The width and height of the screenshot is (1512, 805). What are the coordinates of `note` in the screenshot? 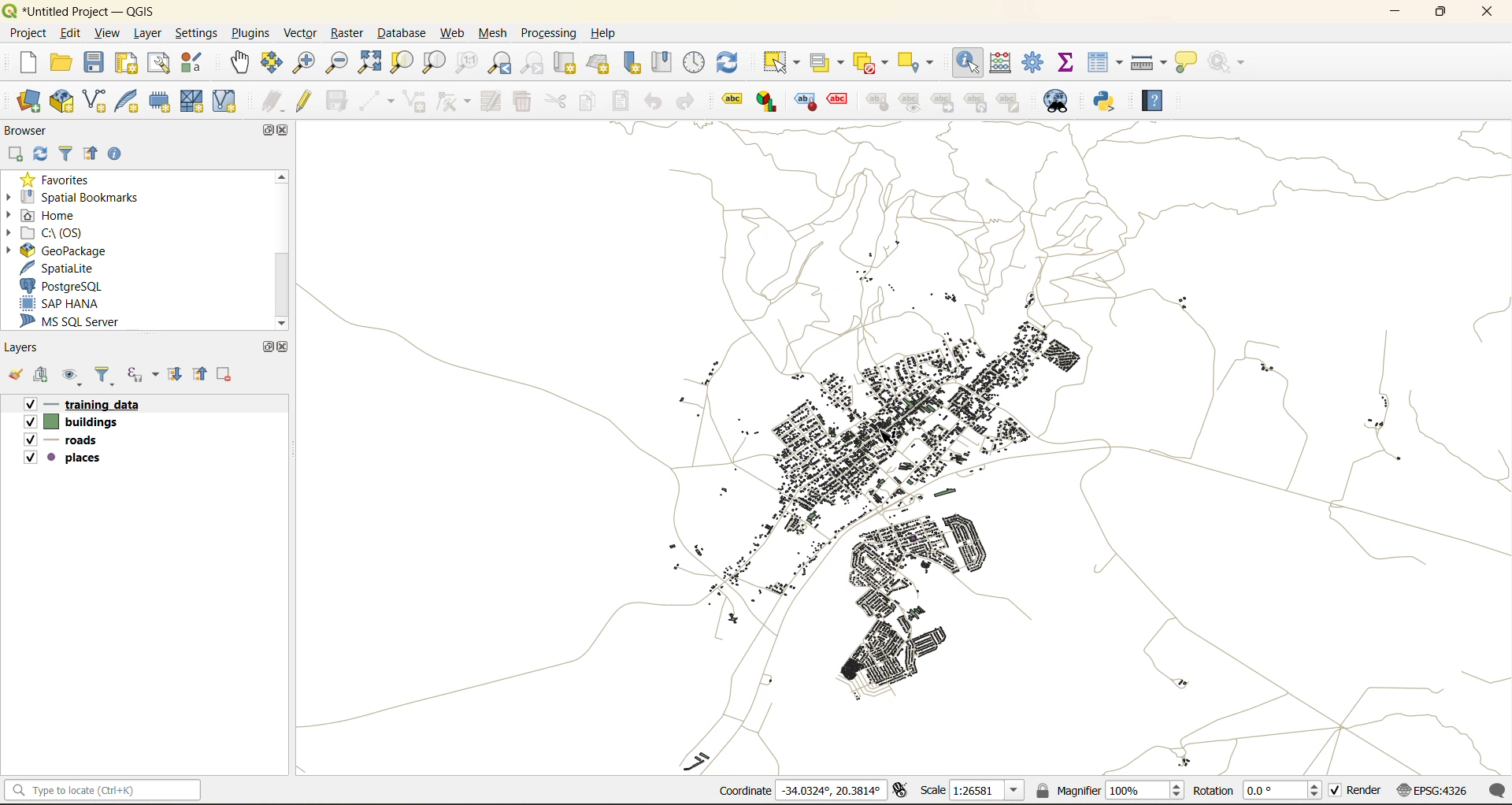 It's located at (1017, 103).